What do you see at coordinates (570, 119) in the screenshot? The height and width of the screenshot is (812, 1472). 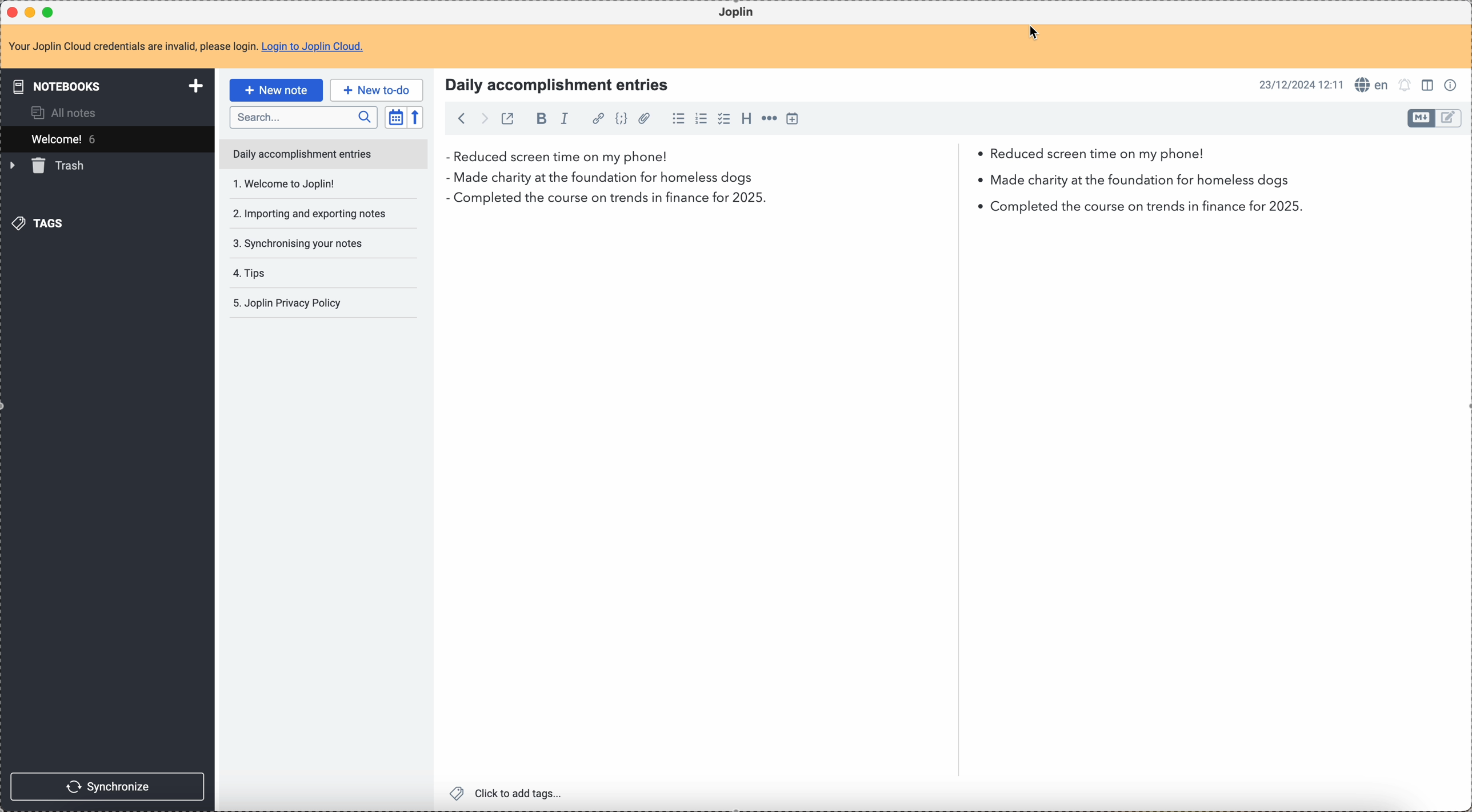 I see `italic` at bounding box center [570, 119].